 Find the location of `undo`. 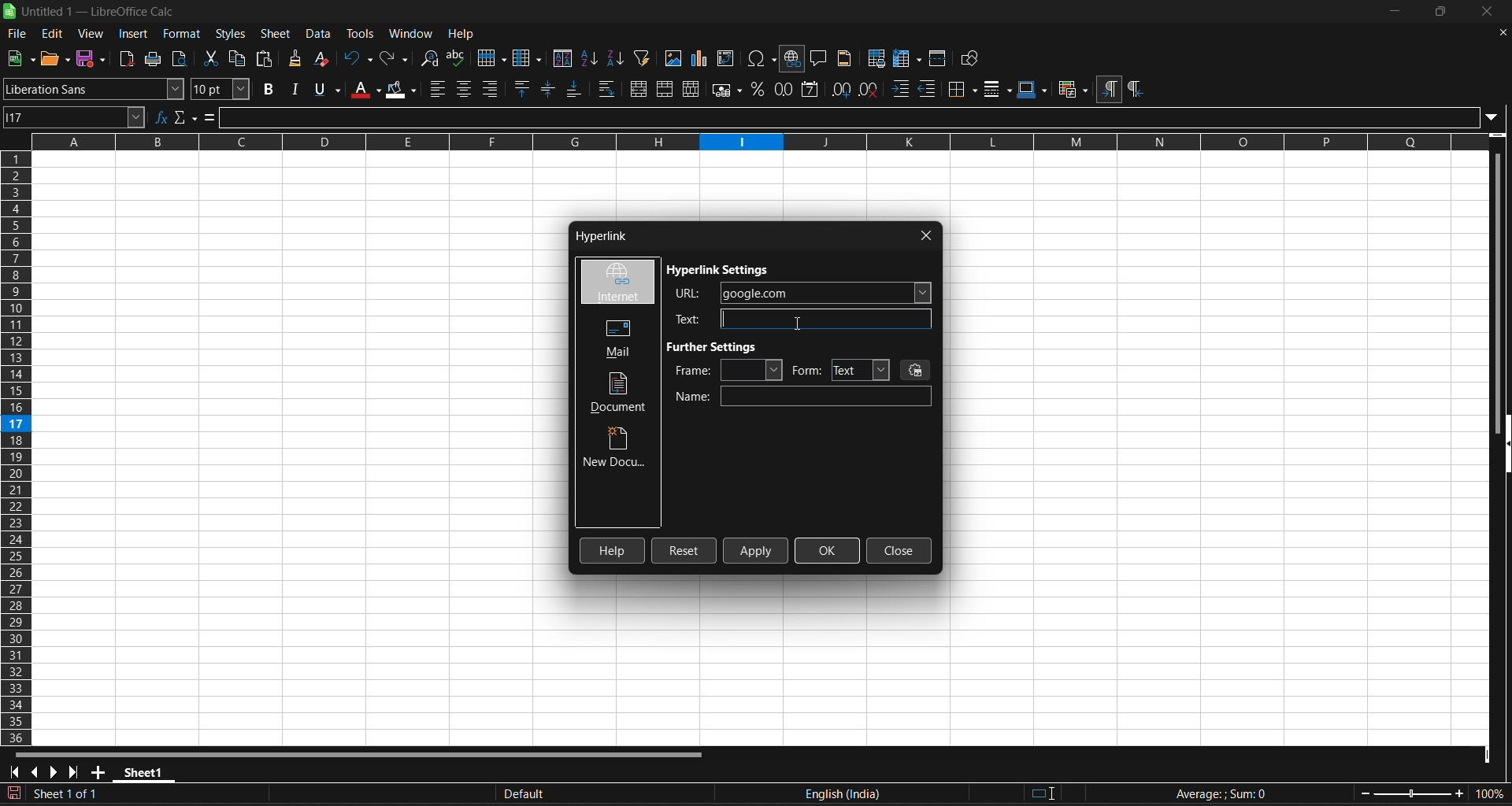

undo is located at coordinates (358, 58).